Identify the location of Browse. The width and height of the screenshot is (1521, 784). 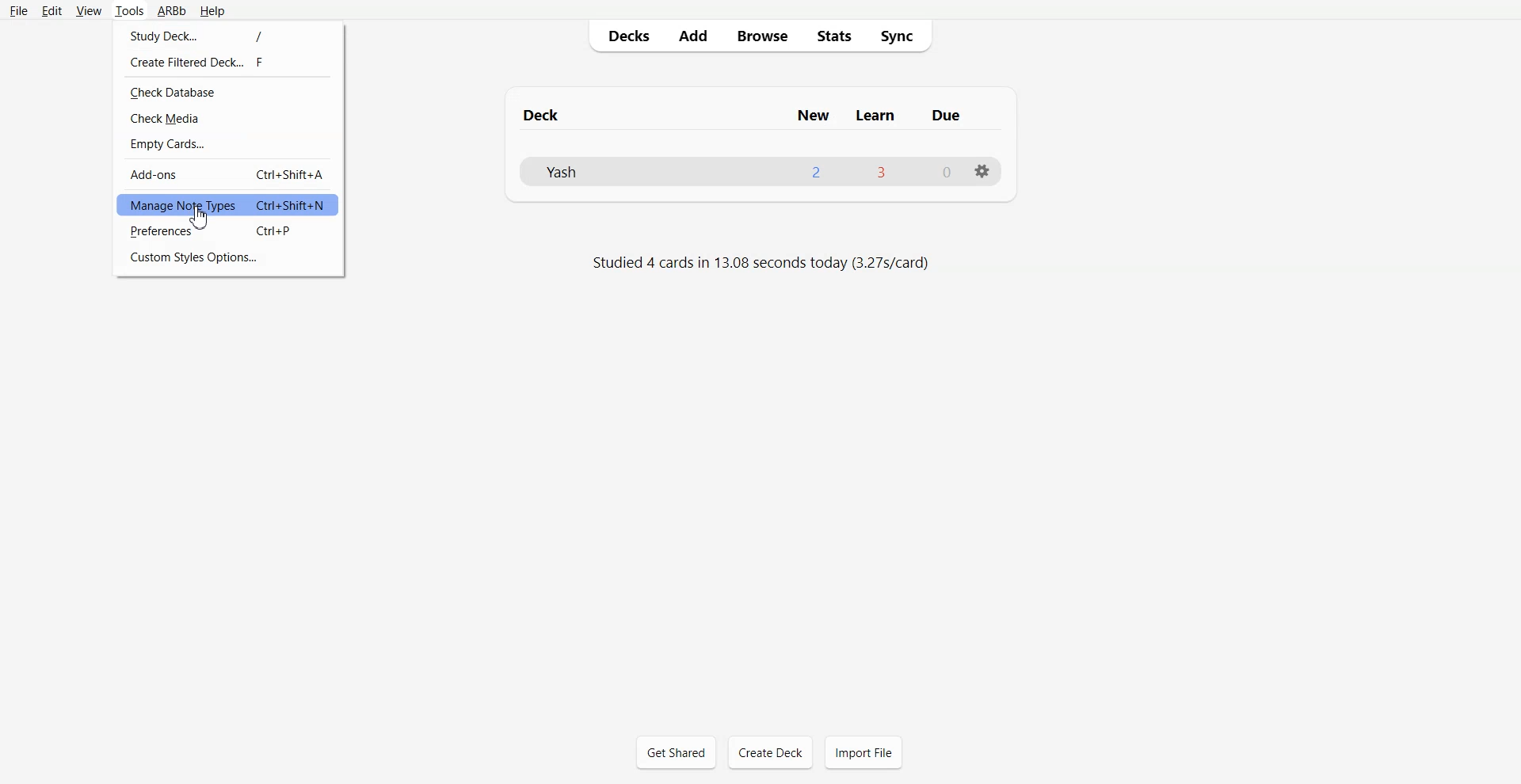
(760, 36).